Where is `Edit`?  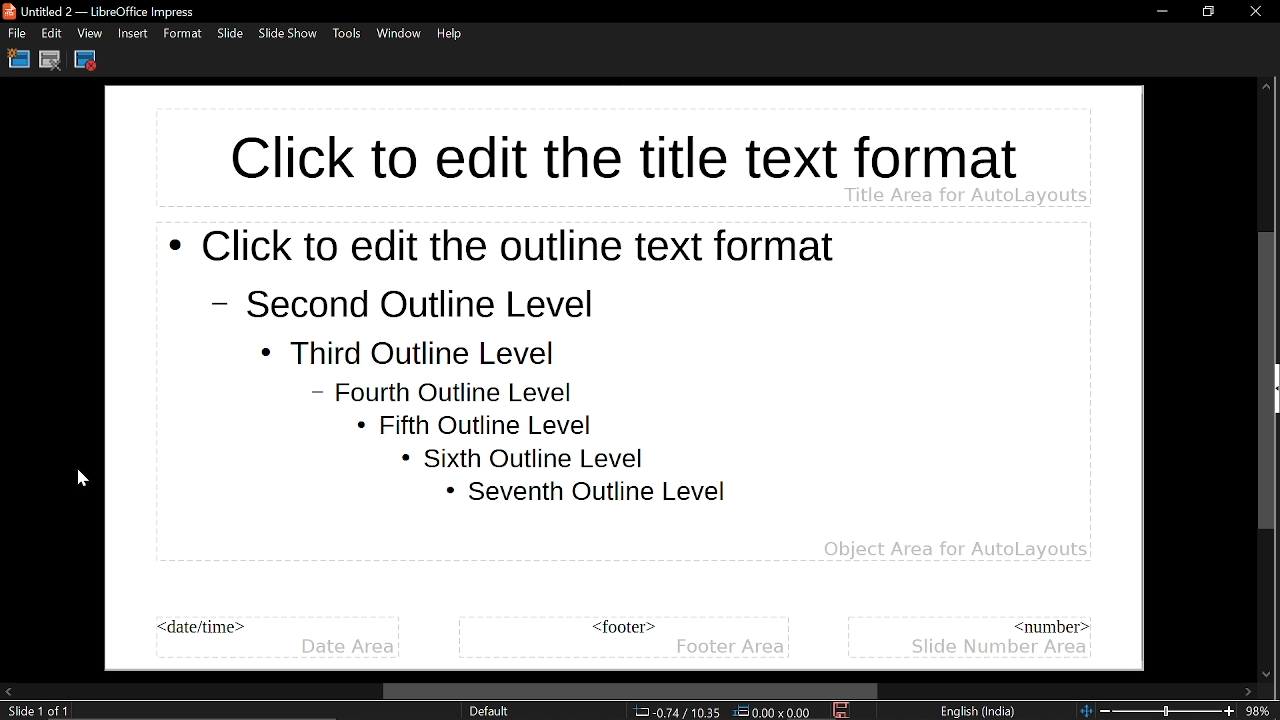 Edit is located at coordinates (52, 34).